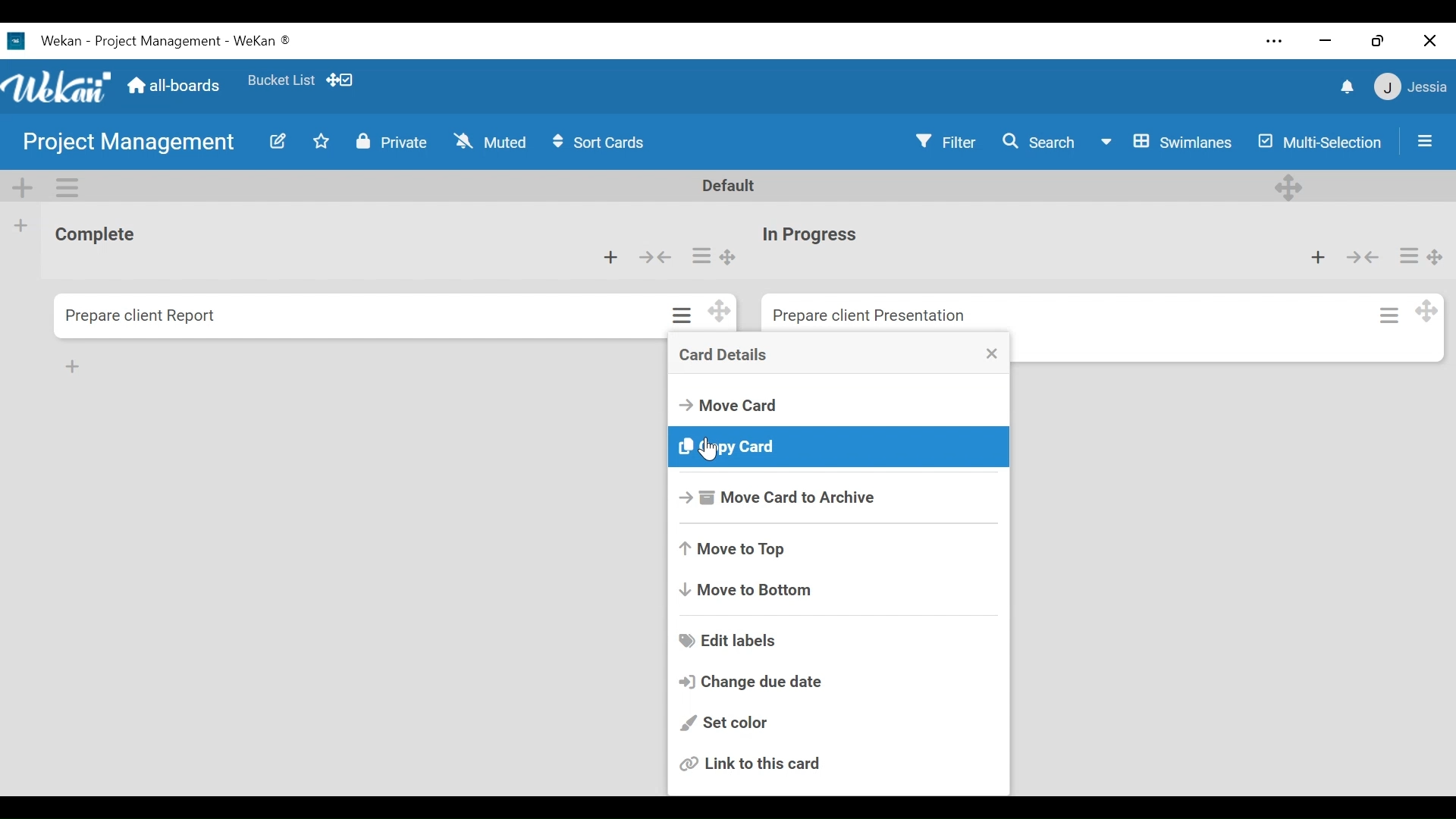  I want to click on Restore, so click(1380, 39).